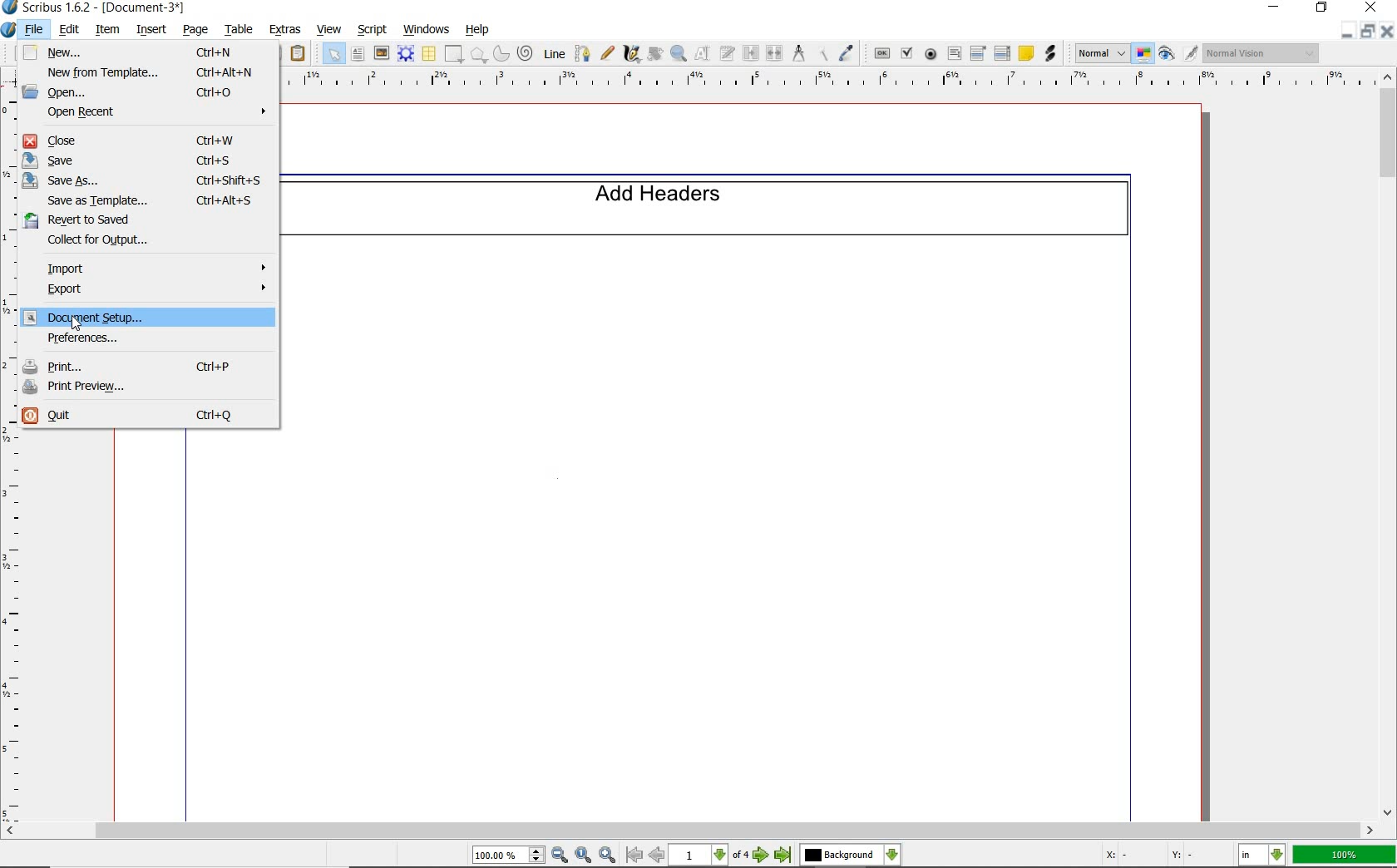 This screenshot has height=868, width=1397. What do you see at coordinates (150, 181) in the screenshot?
I see `save as` at bounding box center [150, 181].